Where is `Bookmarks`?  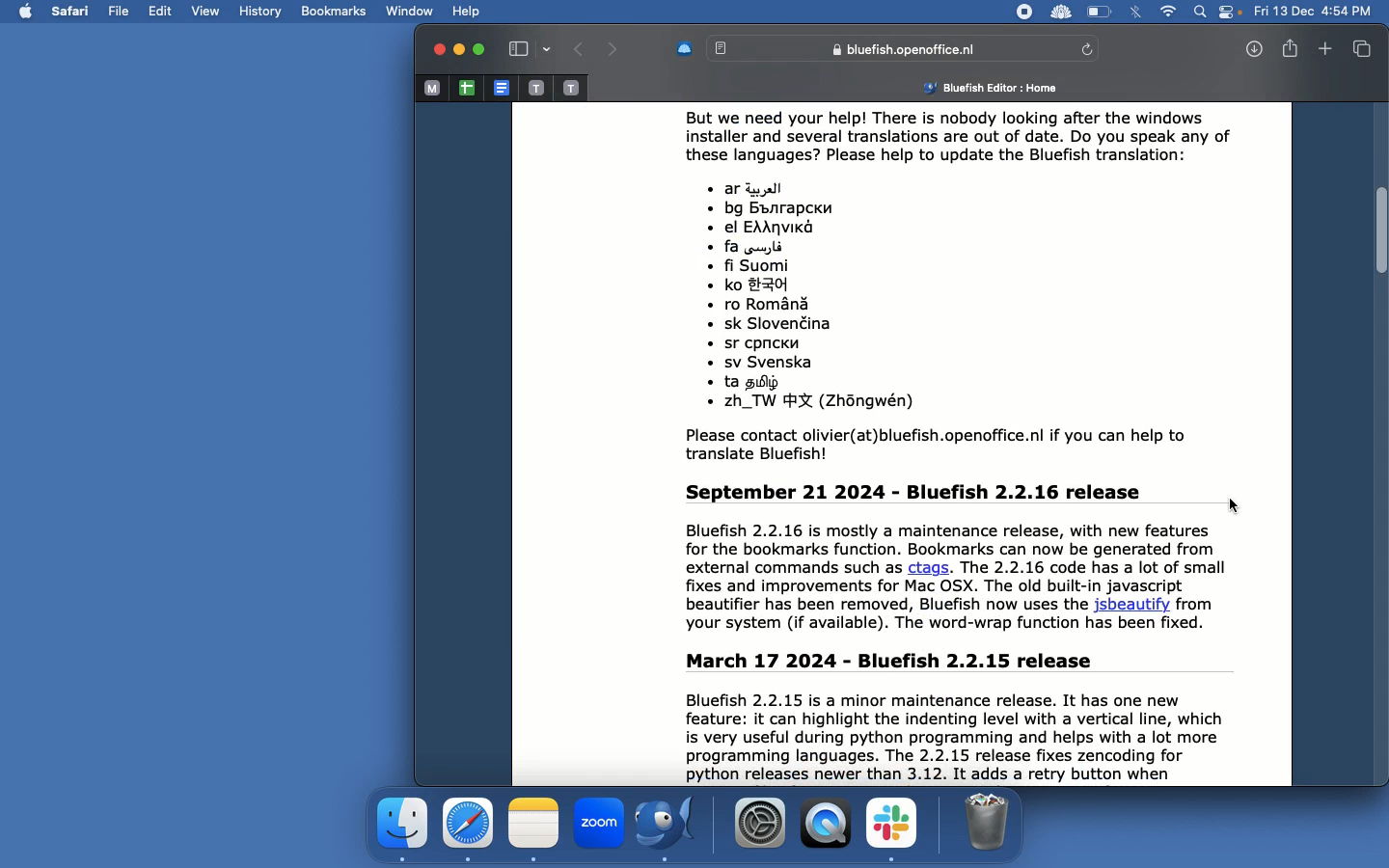
Bookmarks is located at coordinates (334, 14).